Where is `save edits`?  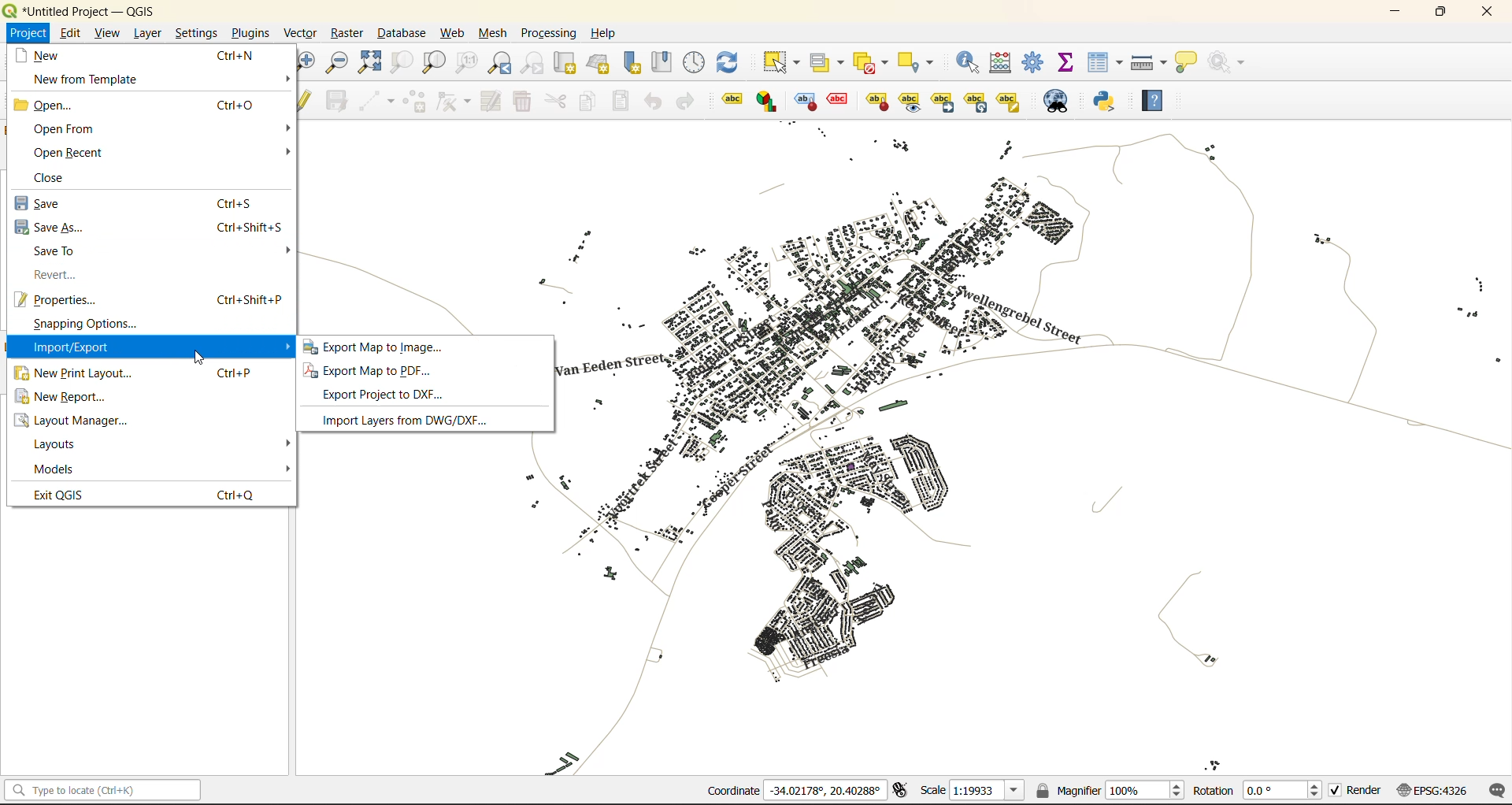 save edits is located at coordinates (335, 101).